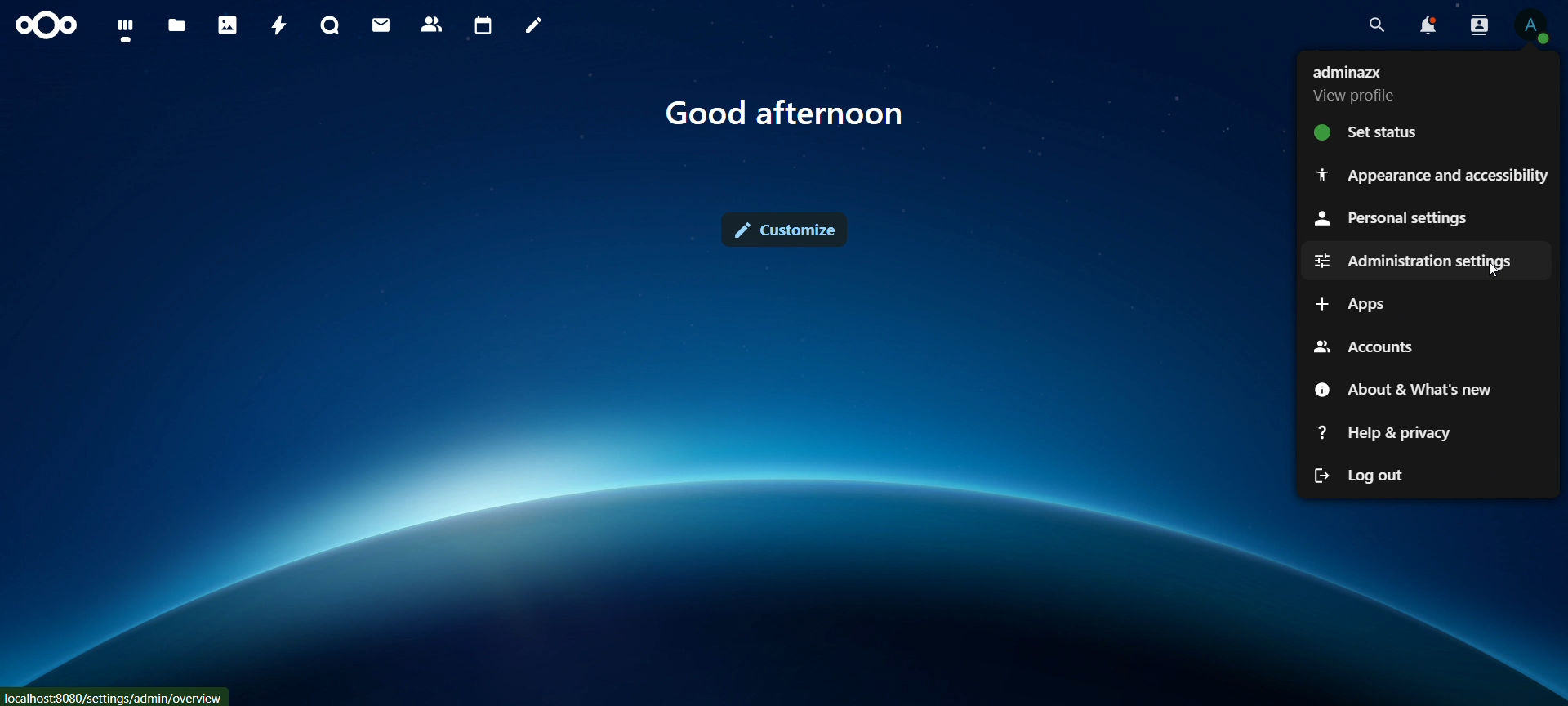 This screenshot has width=1568, height=706. What do you see at coordinates (483, 26) in the screenshot?
I see `calendar` at bounding box center [483, 26].